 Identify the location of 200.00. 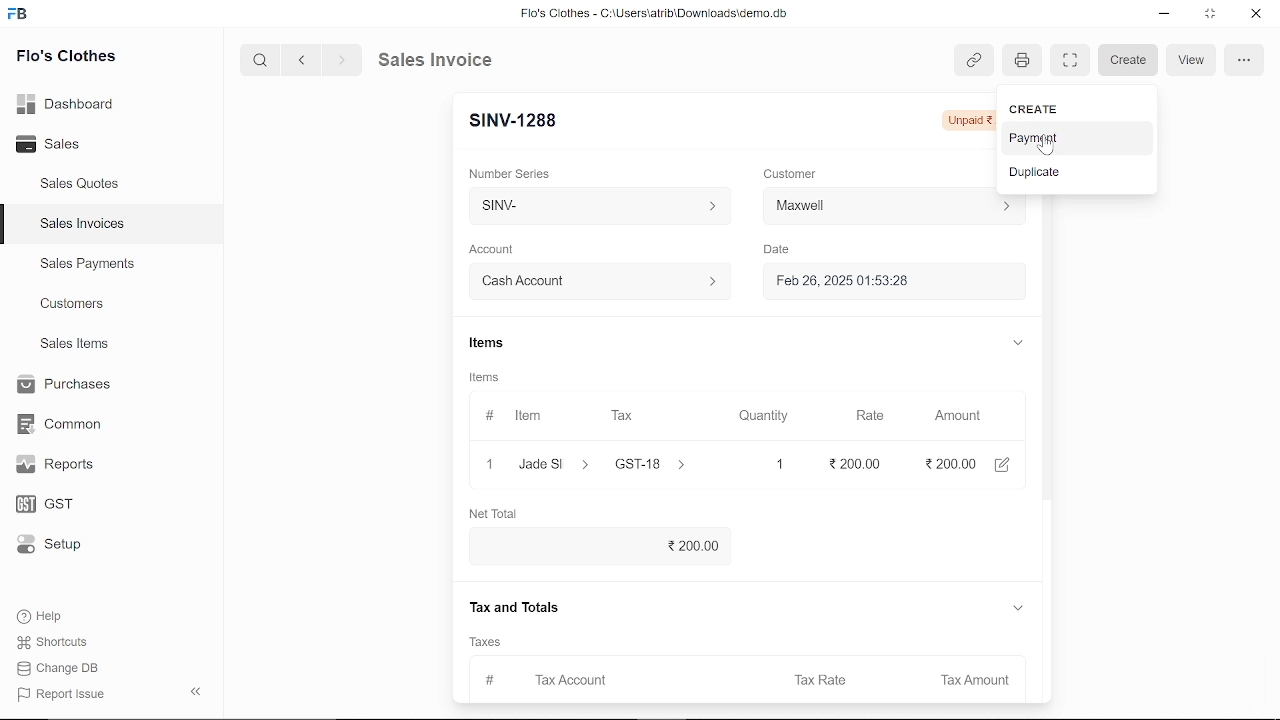
(605, 544).